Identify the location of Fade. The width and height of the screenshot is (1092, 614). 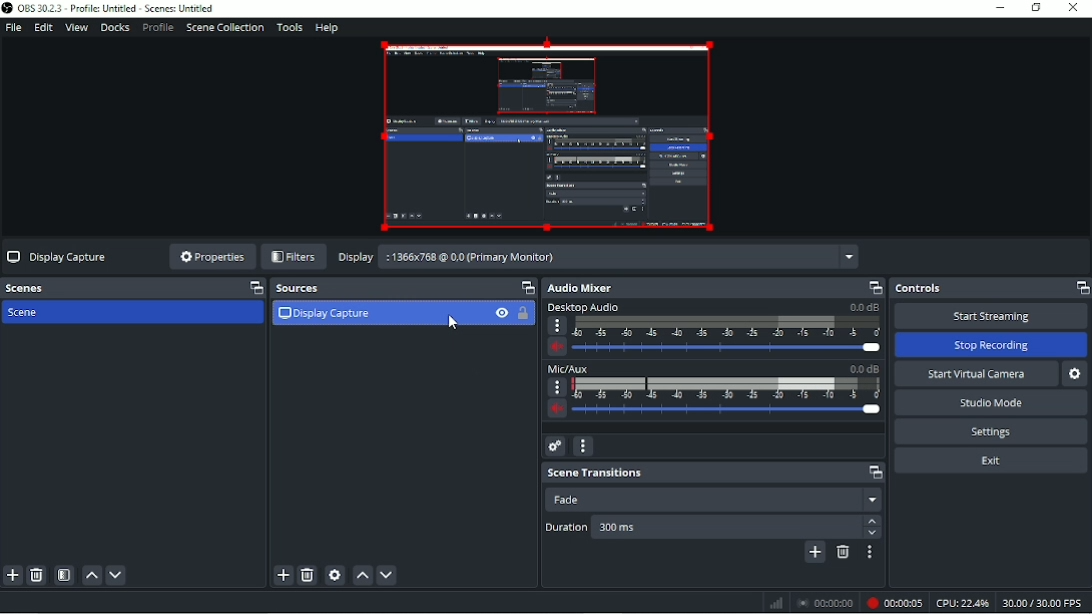
(714, 499).